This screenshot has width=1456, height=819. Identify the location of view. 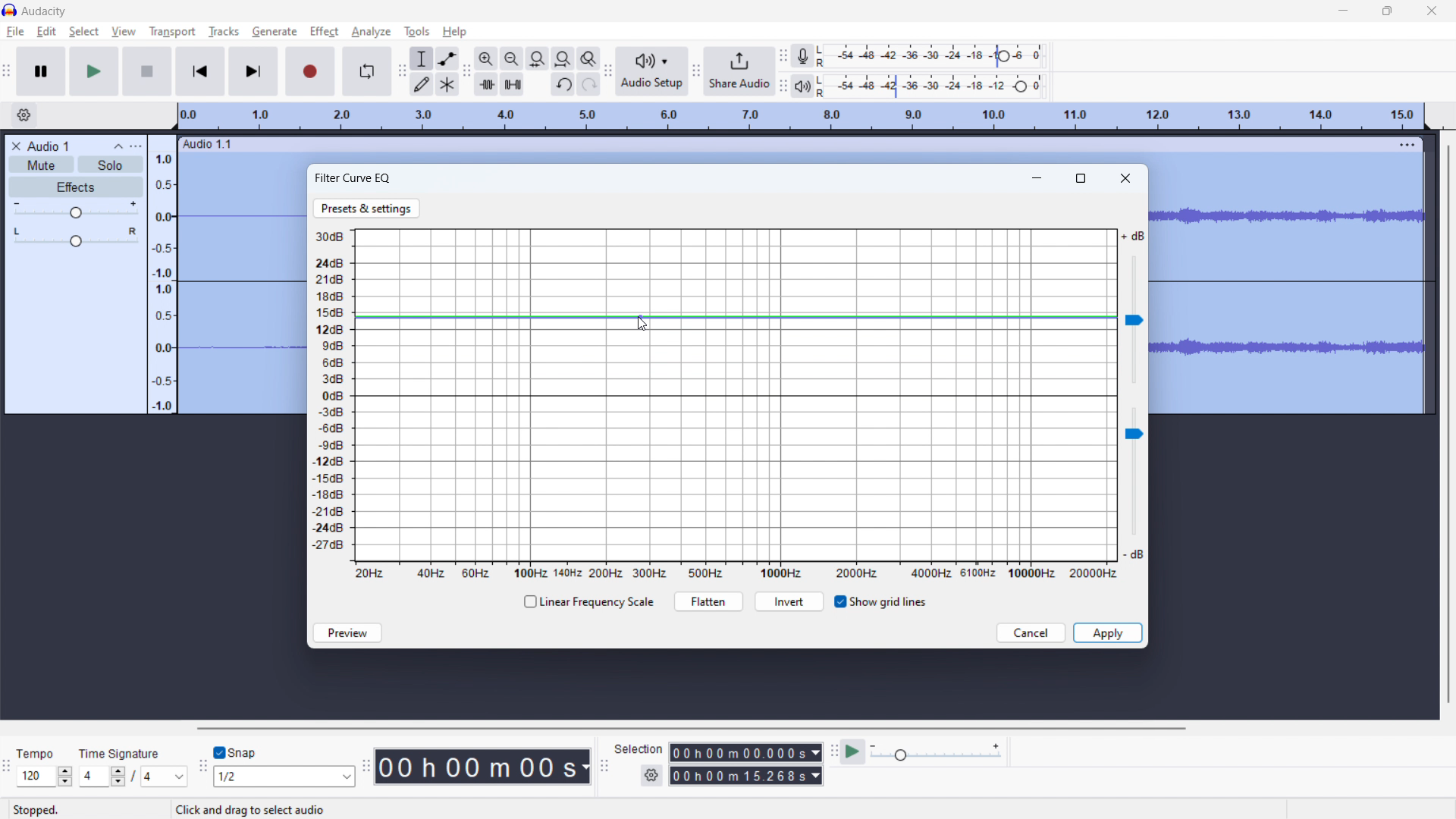
(124, 31).